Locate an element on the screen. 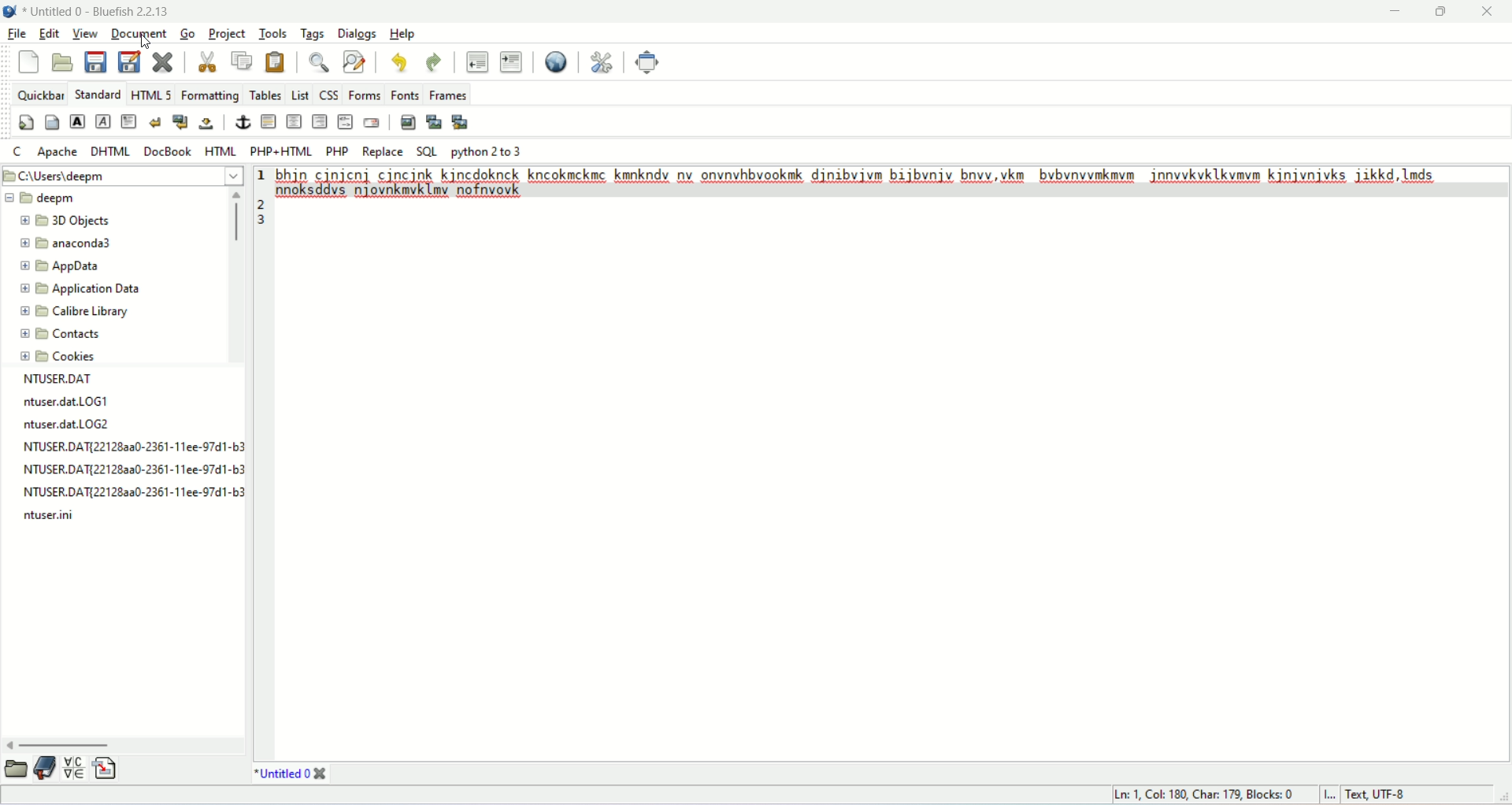  python 2 to 3 is located at coordinates (487, 151).